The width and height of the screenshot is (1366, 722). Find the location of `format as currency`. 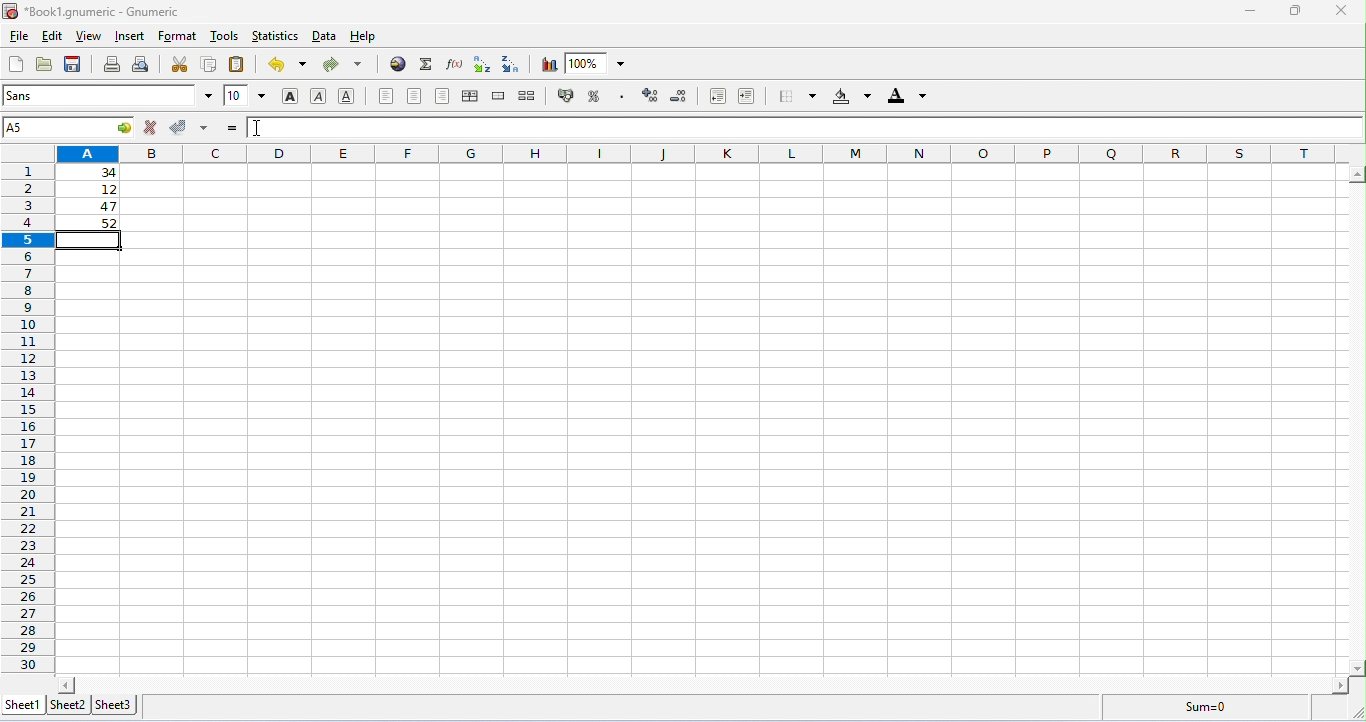

format as currency is located at coordinates (567, 94).